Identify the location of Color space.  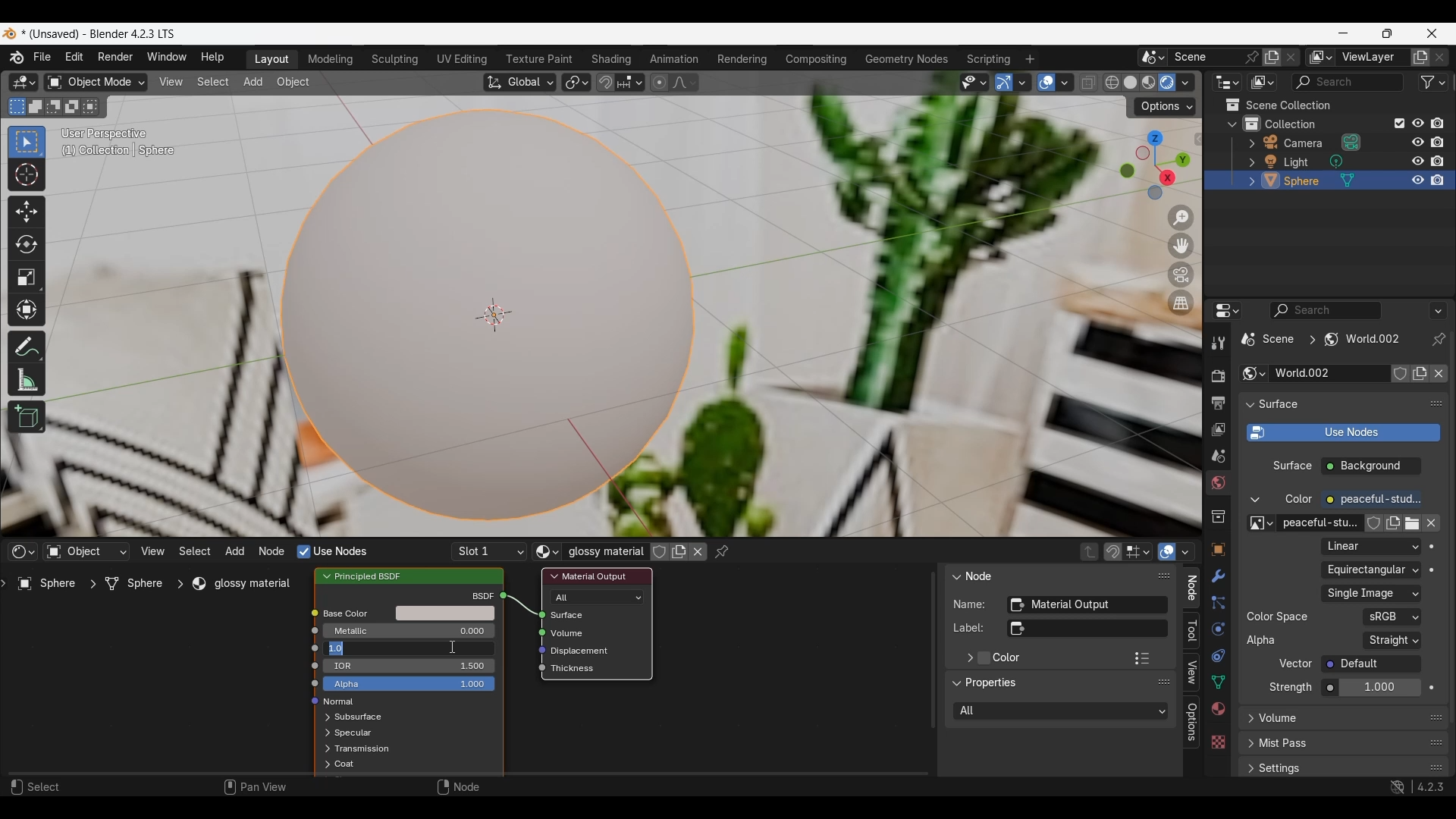
(1392, 617).